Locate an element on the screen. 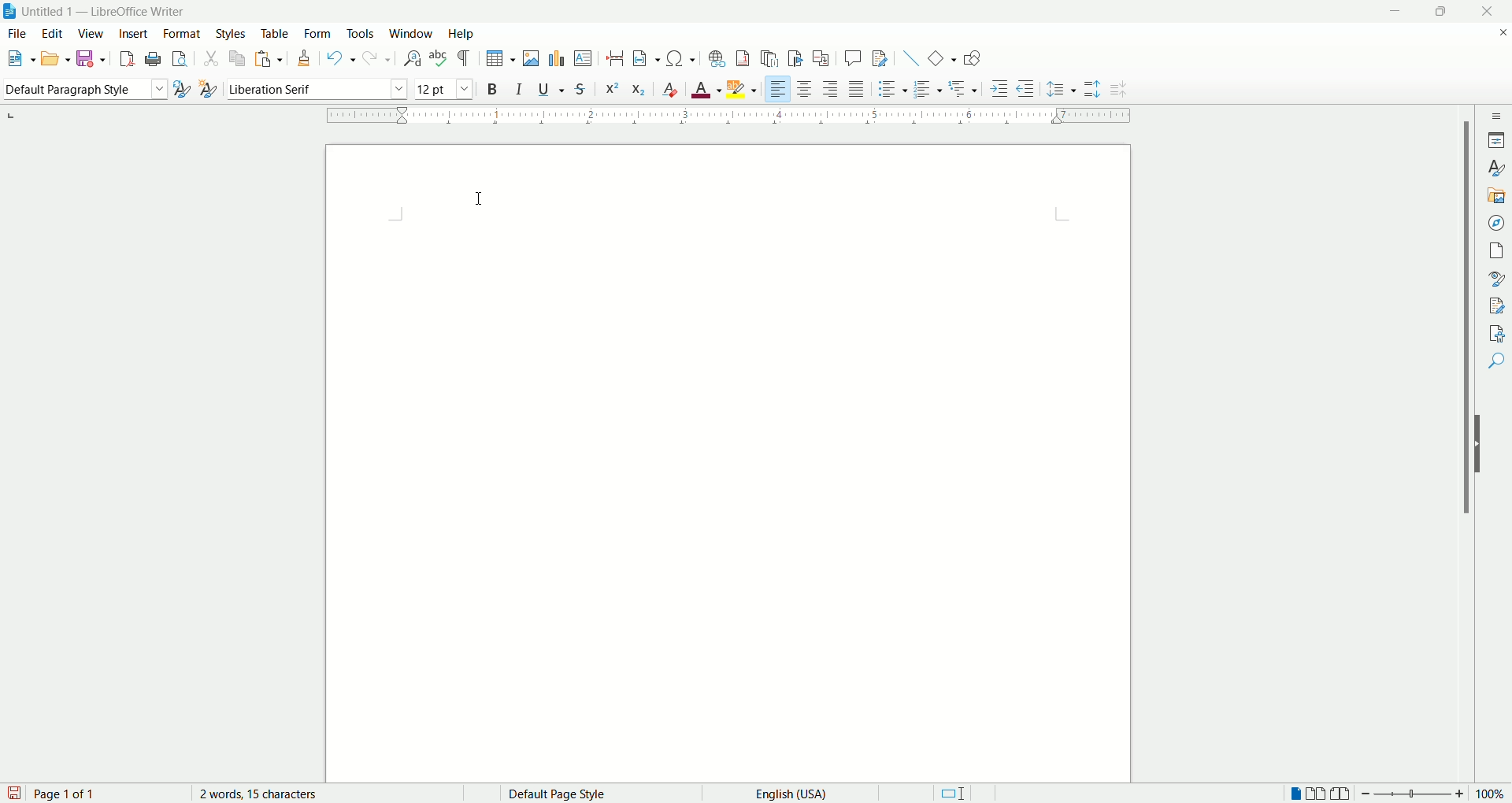 The image size is (1512, 803). table is located at coordinates (274, 32).